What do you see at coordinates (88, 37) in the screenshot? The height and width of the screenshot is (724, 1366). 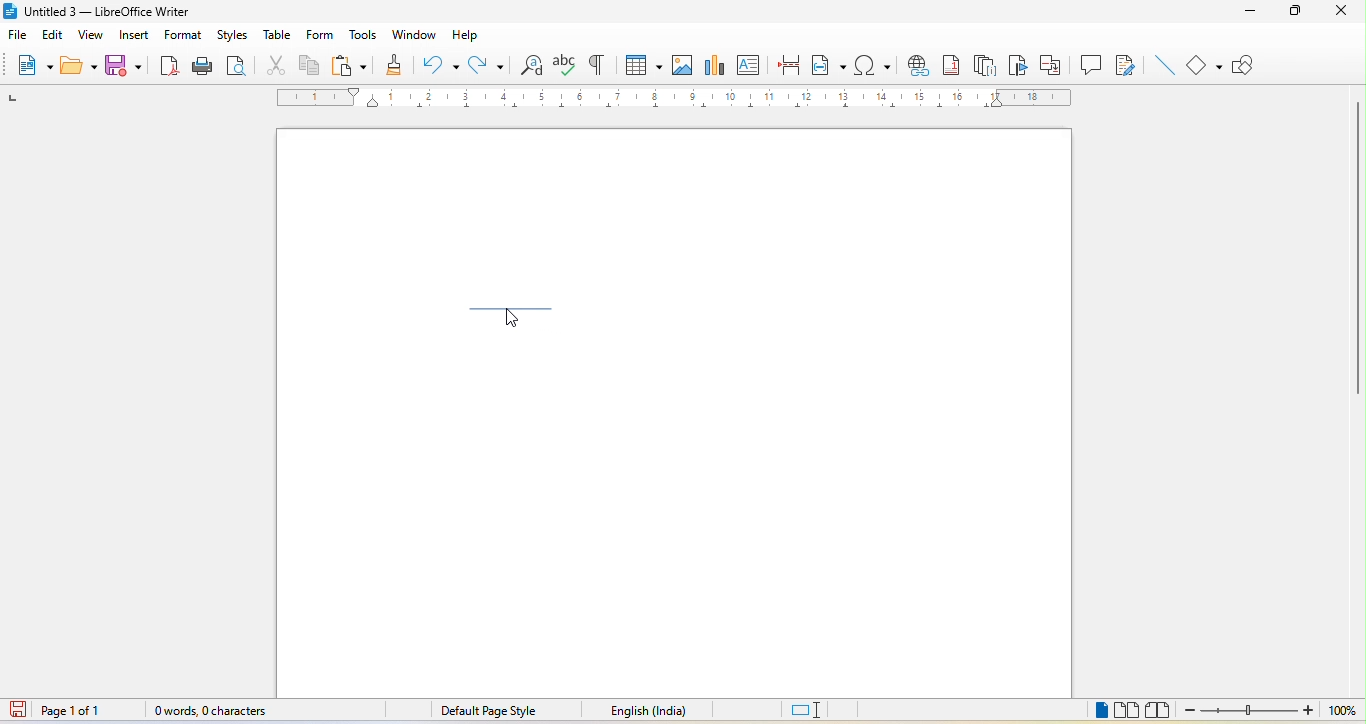 I see `view` at bounding box center [88, 37].